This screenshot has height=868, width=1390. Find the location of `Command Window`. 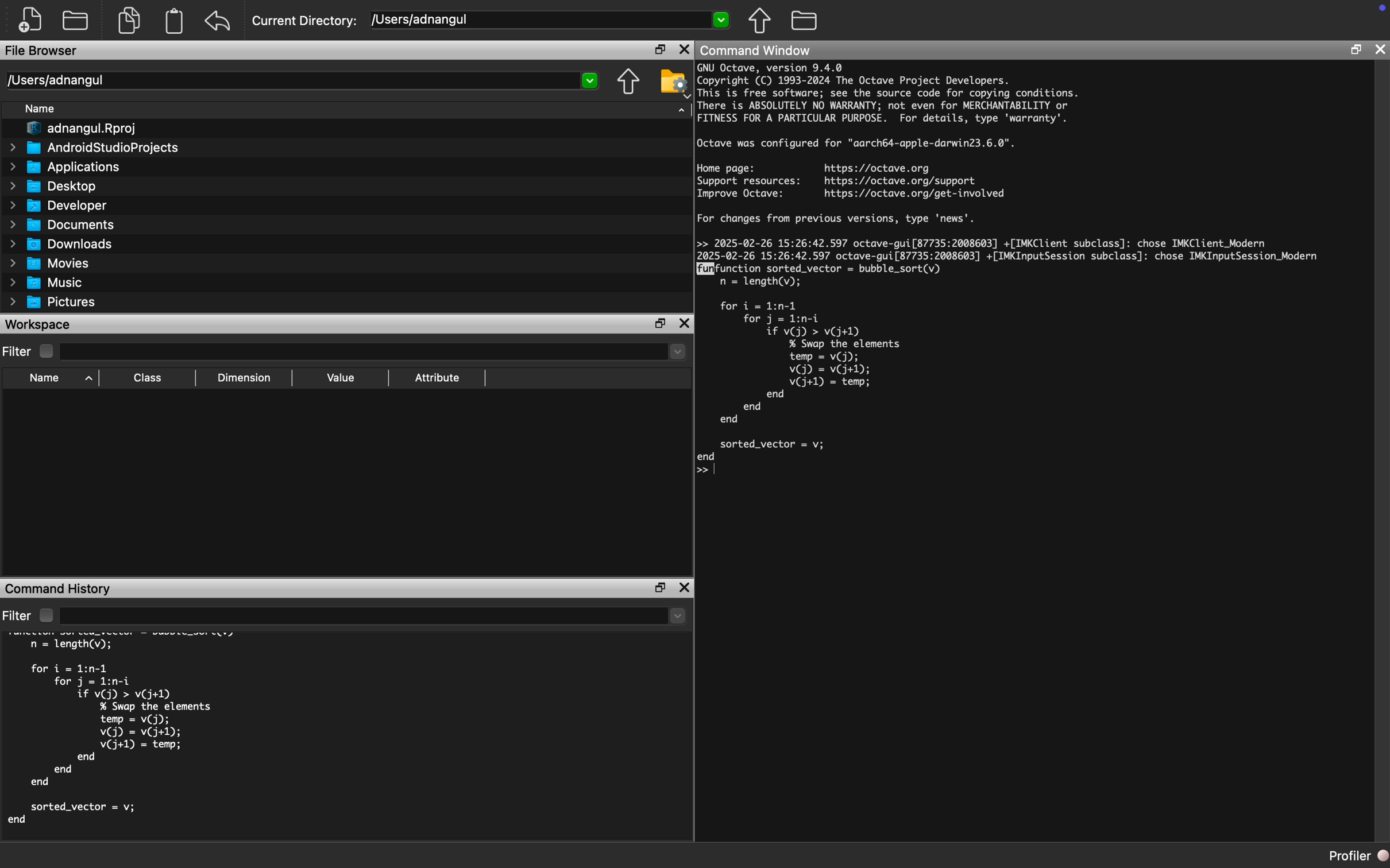

Command Window is located at coordinates (755, 50).